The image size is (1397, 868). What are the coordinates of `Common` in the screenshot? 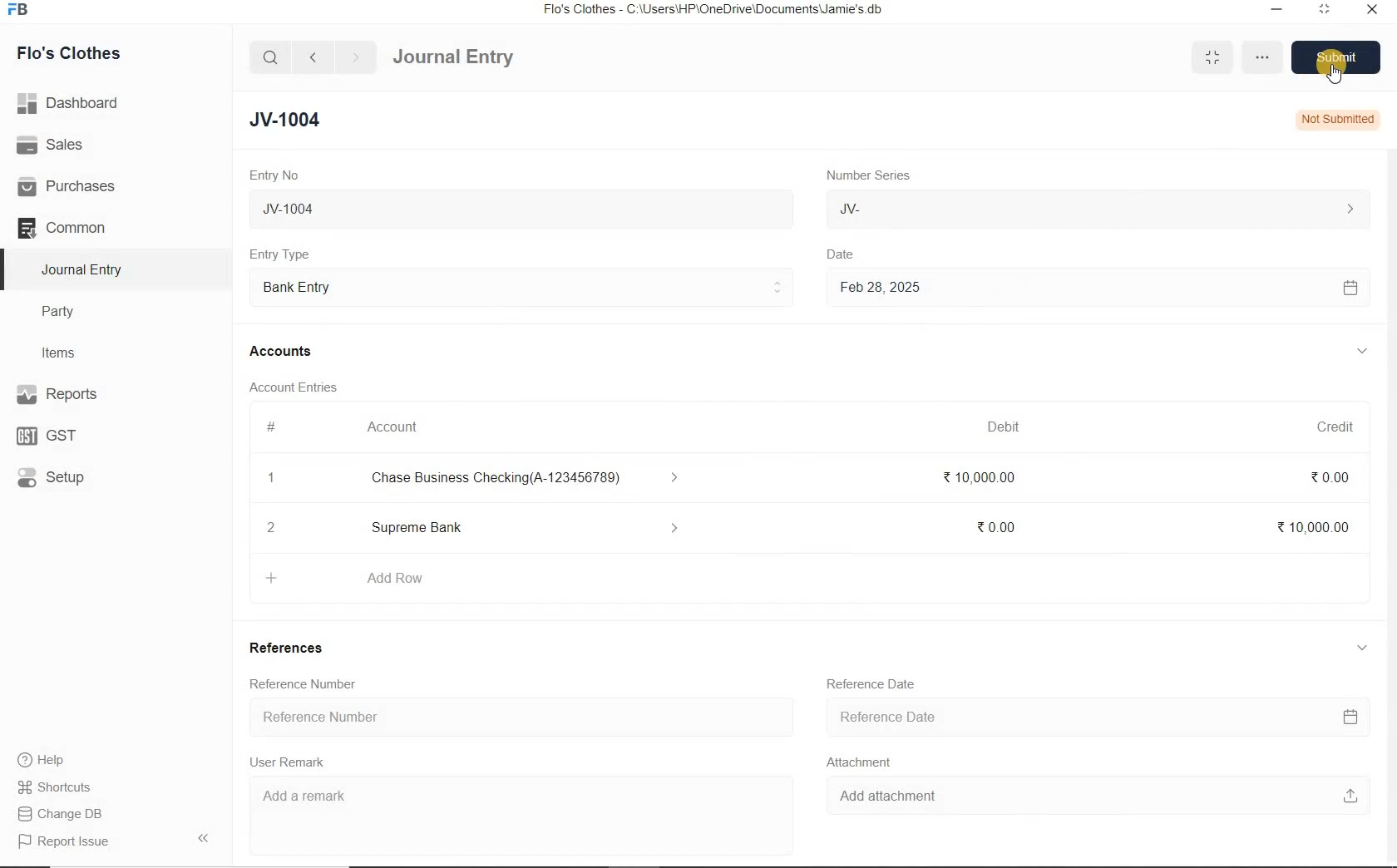 It's located at (81, 227).